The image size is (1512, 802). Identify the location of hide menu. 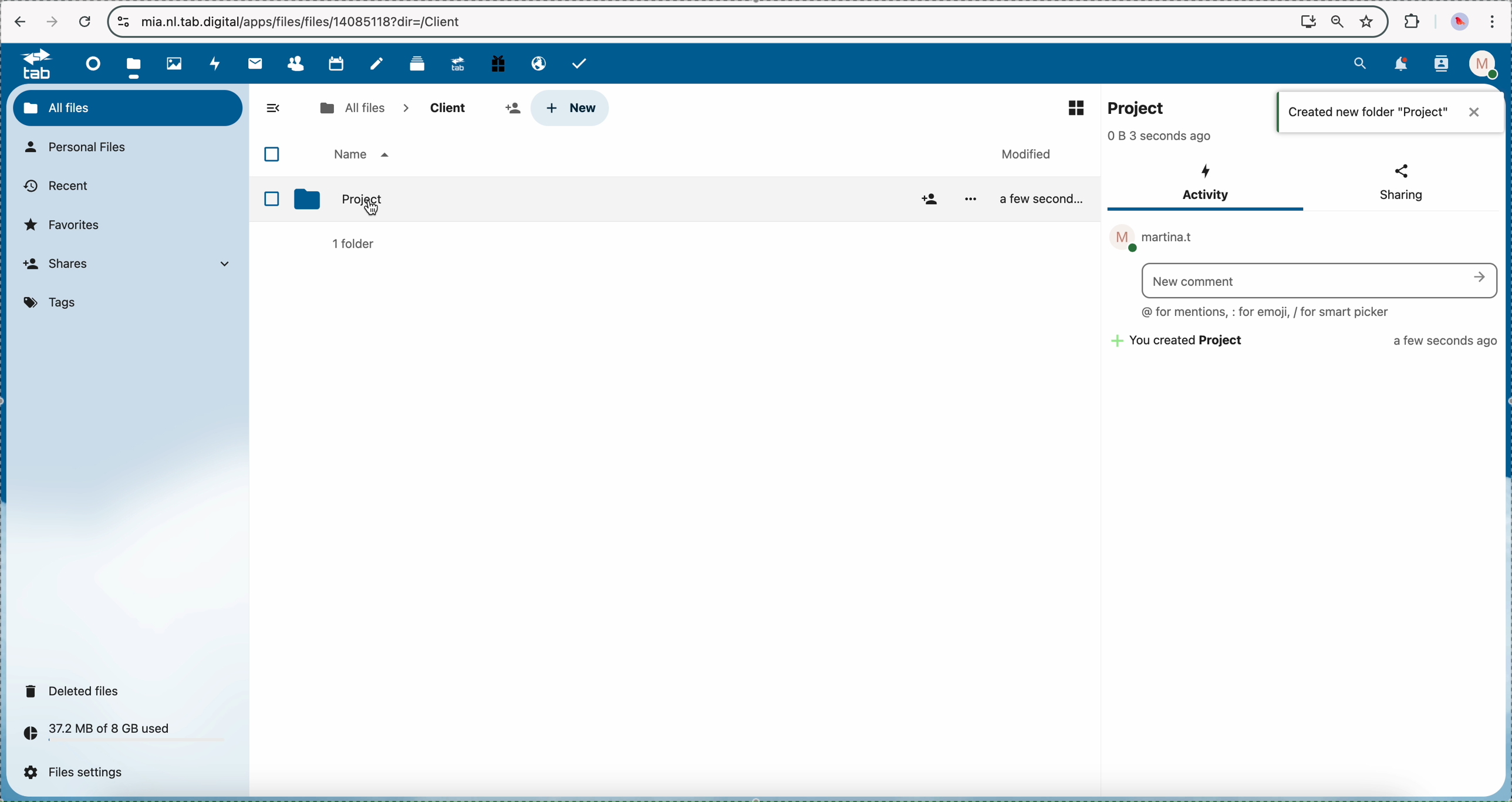
(274, 109).